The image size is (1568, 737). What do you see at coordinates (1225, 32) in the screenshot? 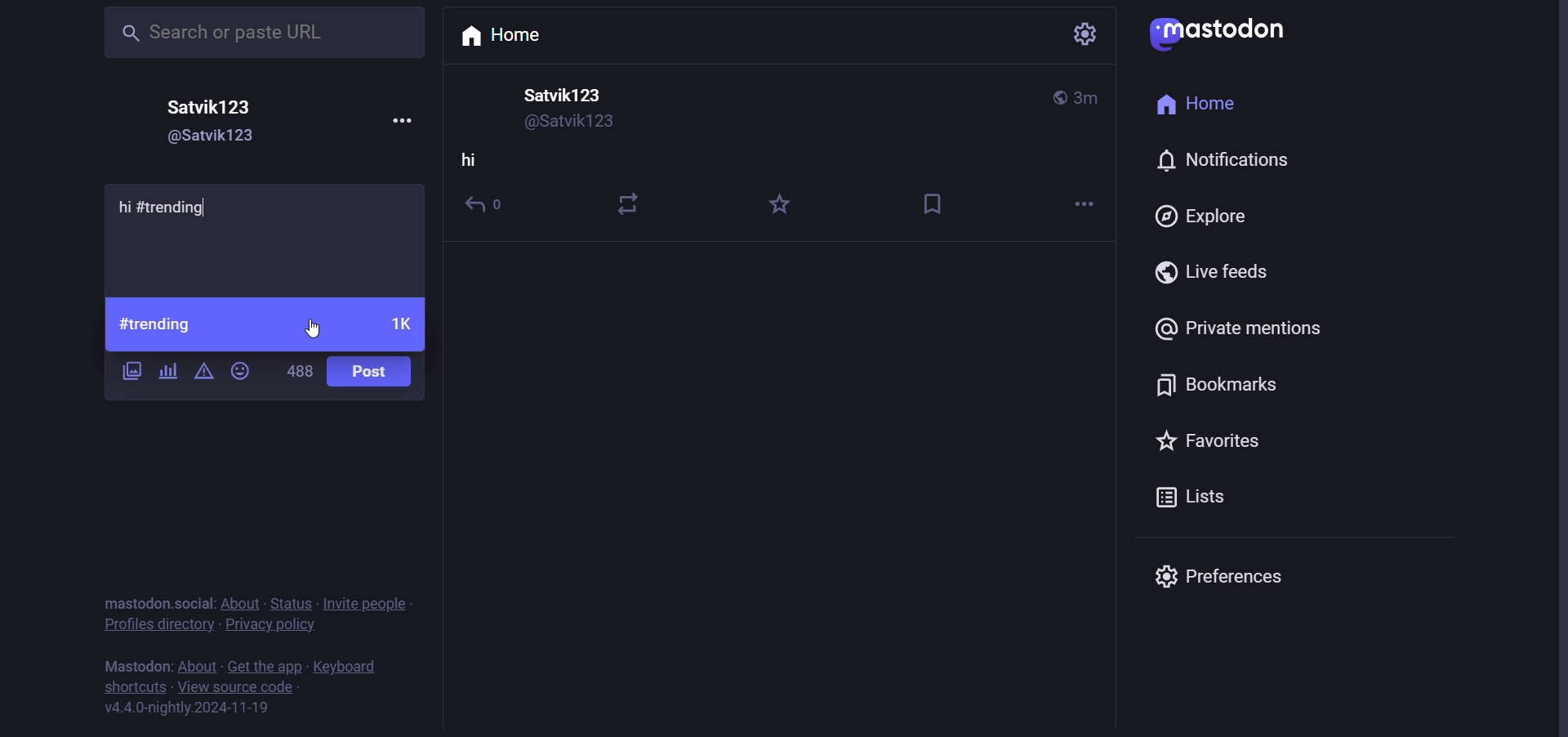
I see `mastodon` at bounding box center [1225, 32].